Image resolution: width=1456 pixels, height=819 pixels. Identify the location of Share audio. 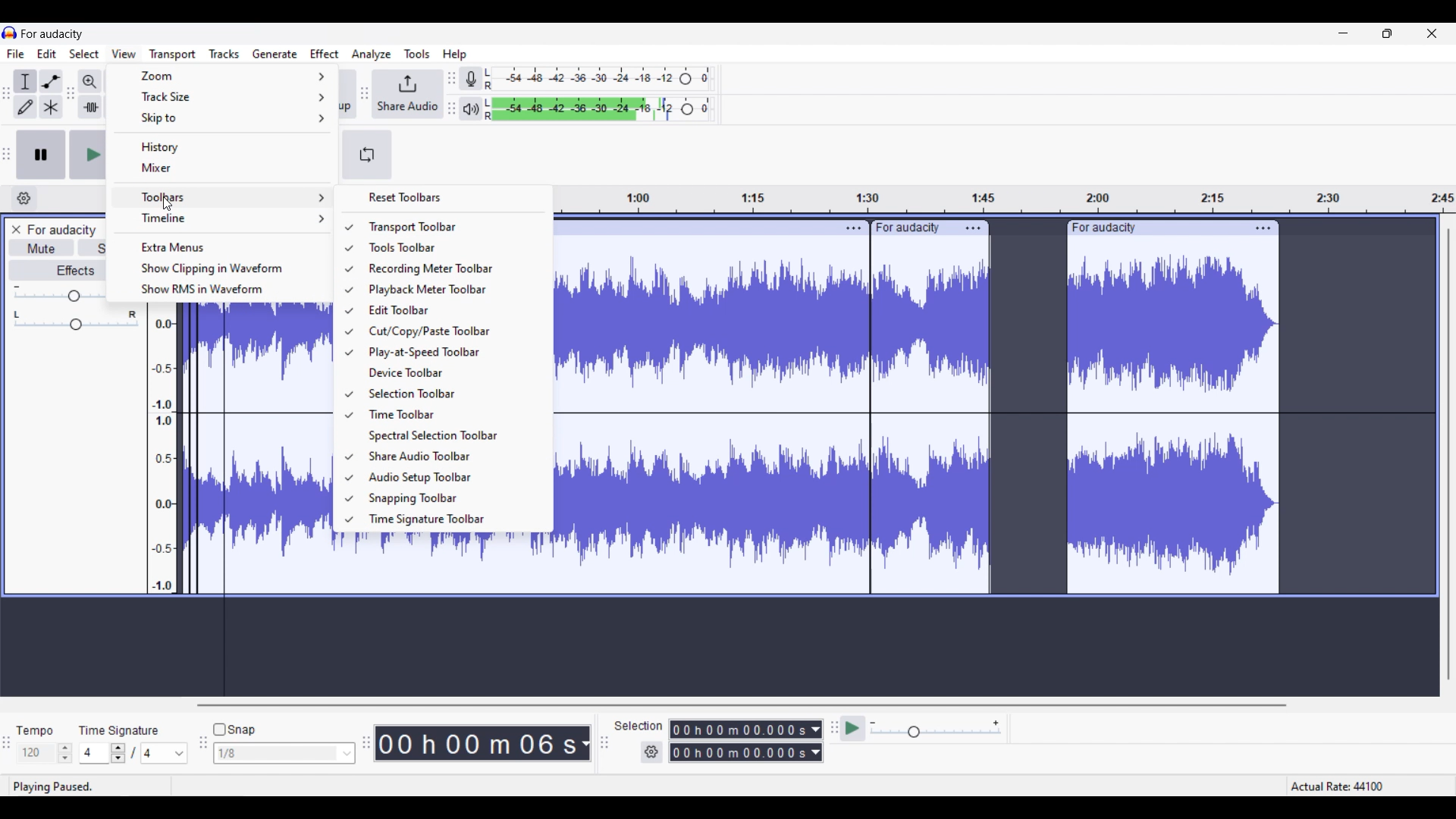
(409, 94).